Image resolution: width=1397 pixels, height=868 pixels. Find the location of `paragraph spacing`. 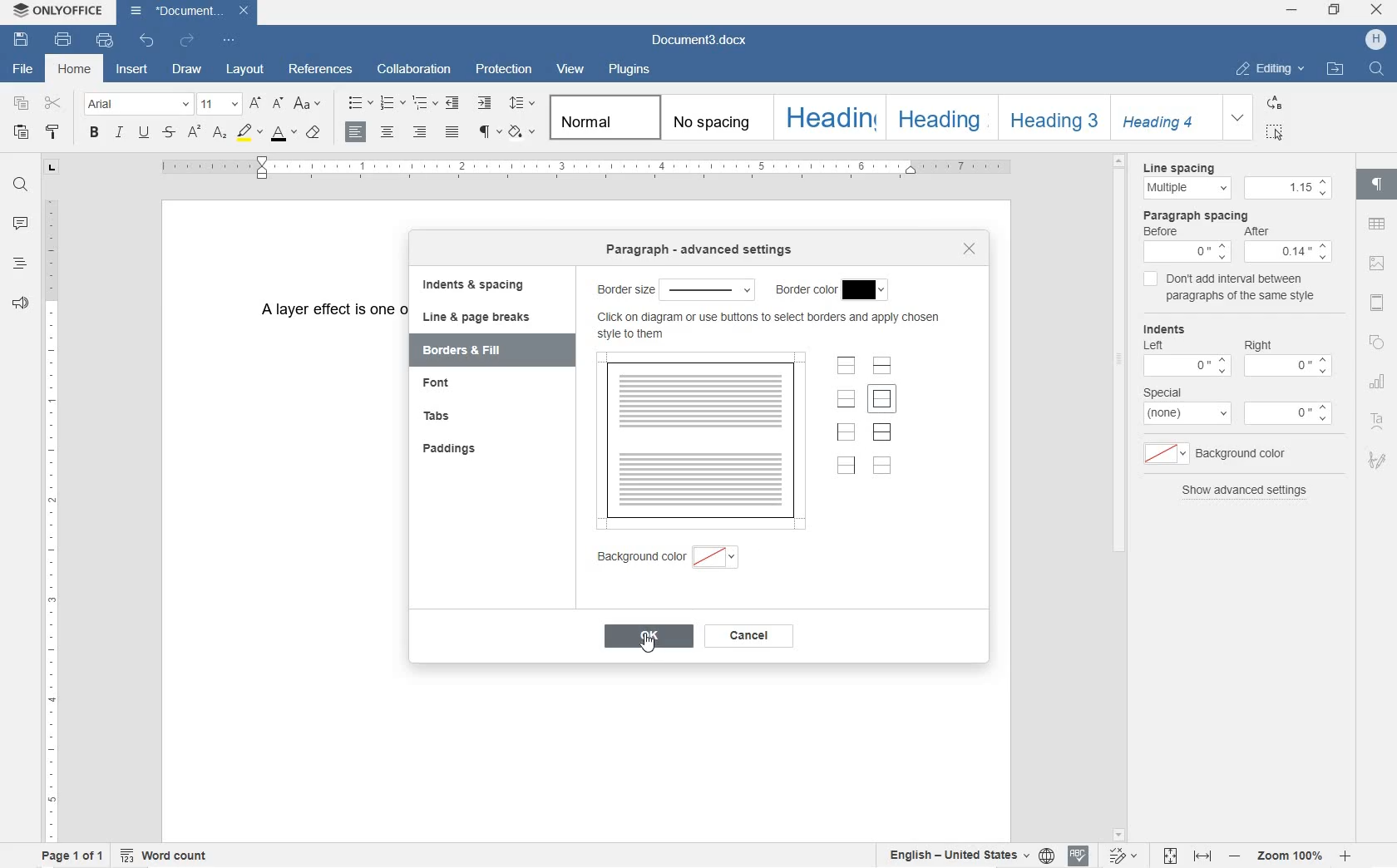

paragraph spacing is located at coordinates (1239, 215).